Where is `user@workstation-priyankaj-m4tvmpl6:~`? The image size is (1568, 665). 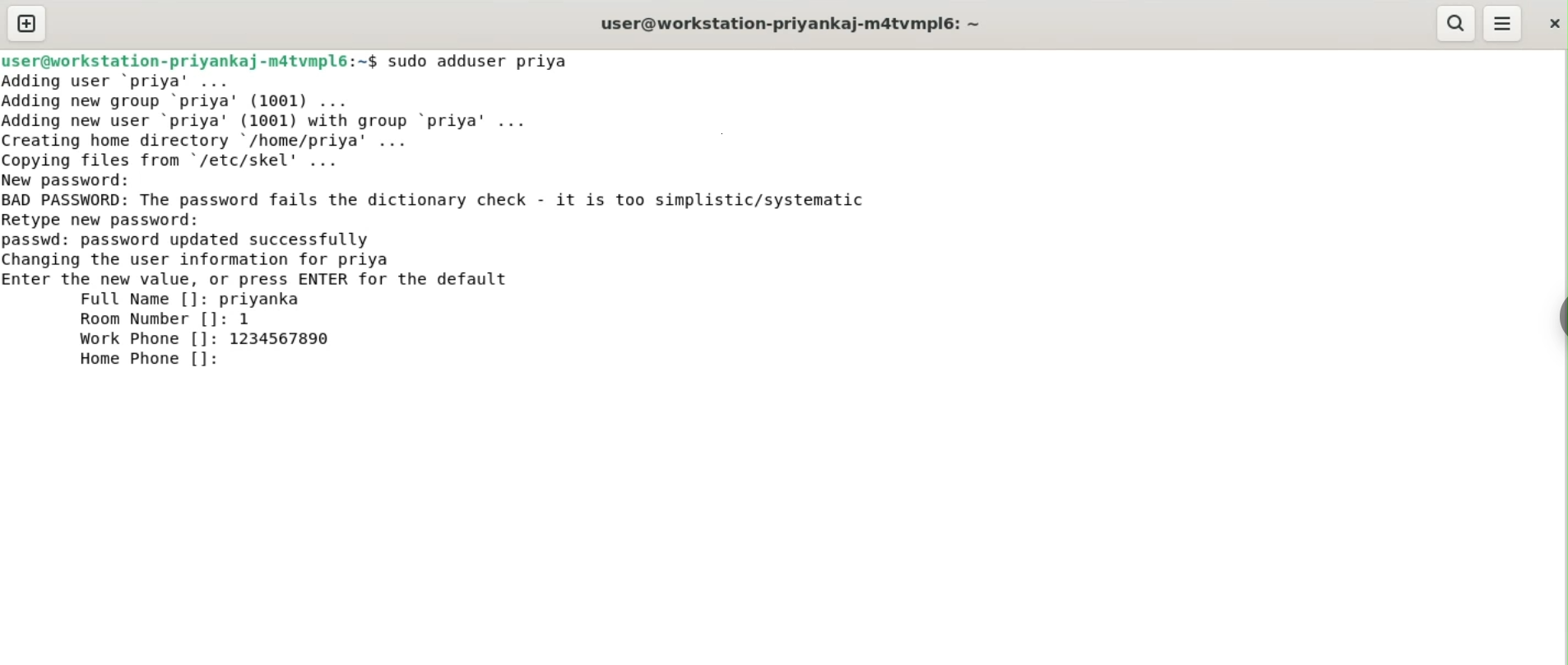
user@workstation-priyankaj-m4tvmpl6:~ is located at coordinates (787, 23).